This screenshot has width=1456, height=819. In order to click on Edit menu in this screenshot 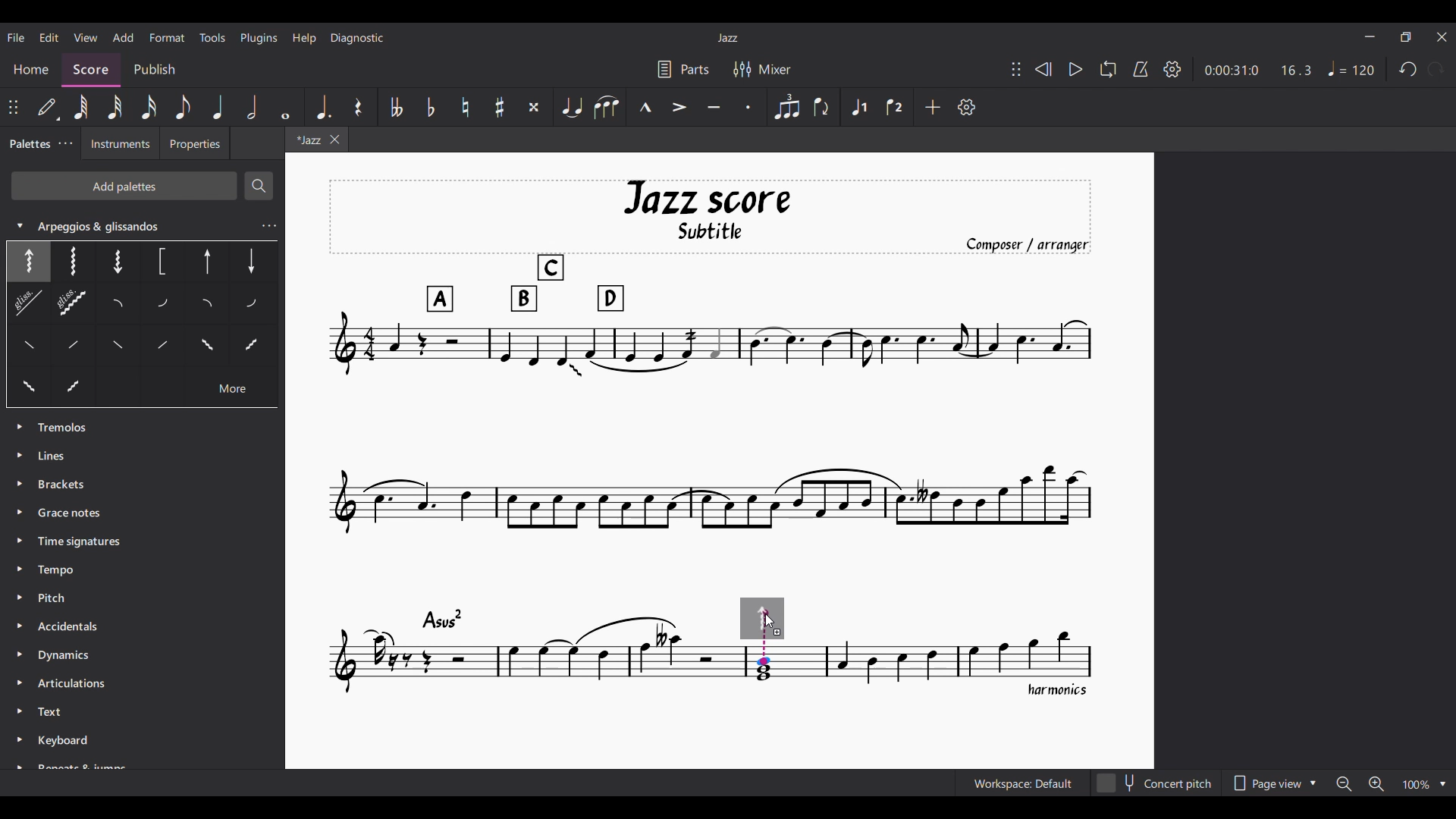, I will do `click(49, 37)`.